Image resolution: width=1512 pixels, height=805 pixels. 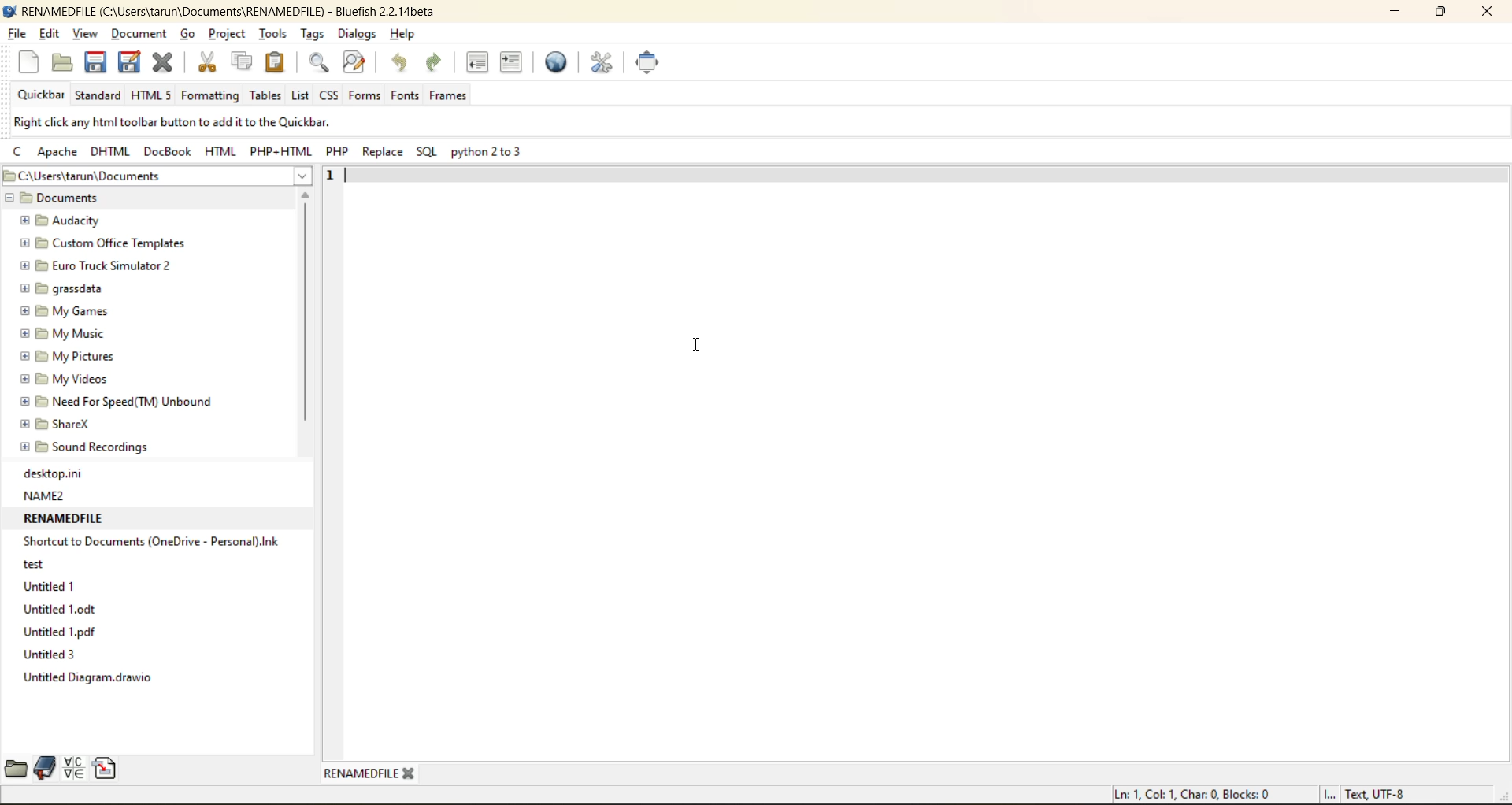 I want to click on frames, so click(x=456, y=98).